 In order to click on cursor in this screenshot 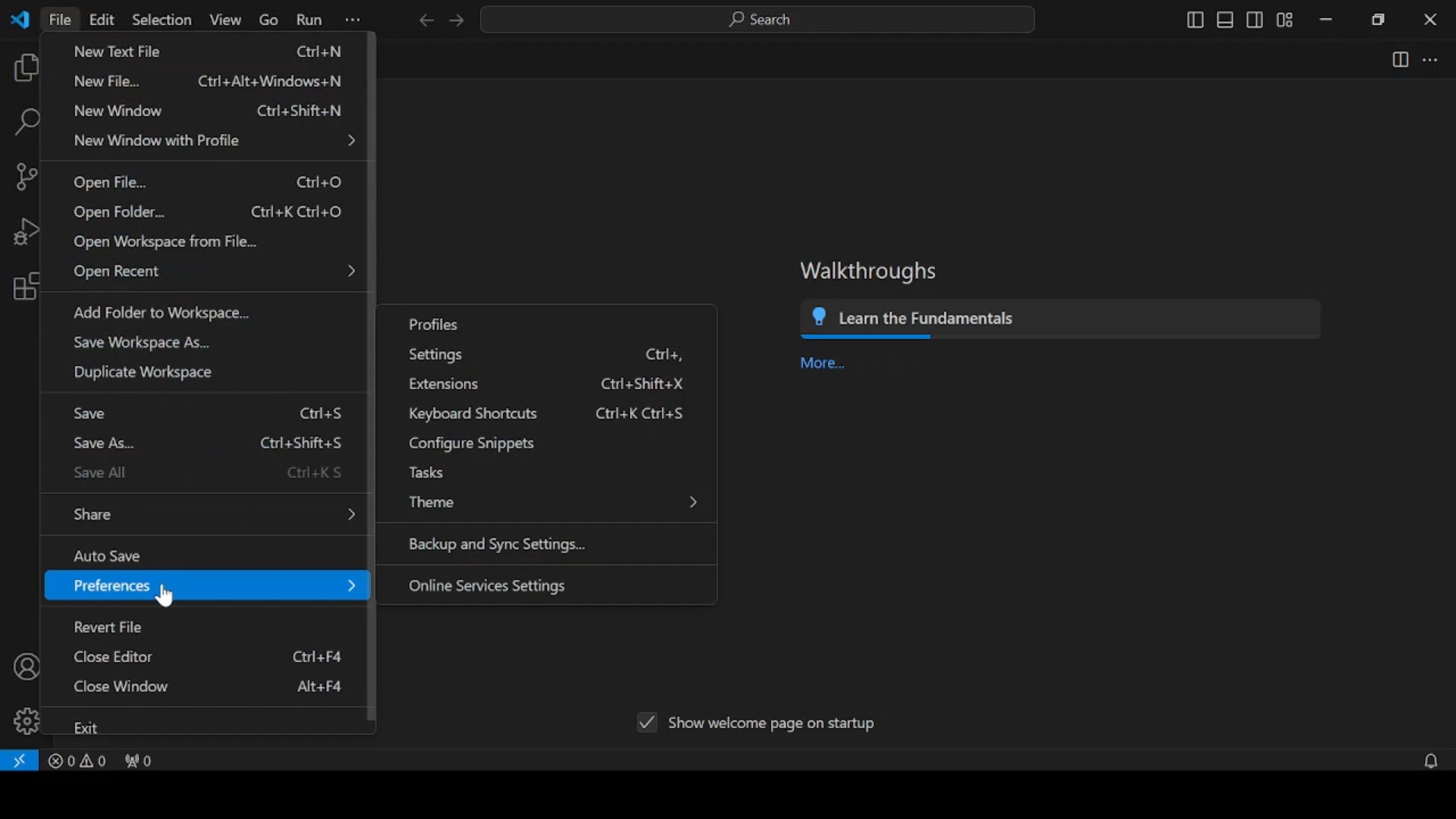, I will do `click(166, 598)`.